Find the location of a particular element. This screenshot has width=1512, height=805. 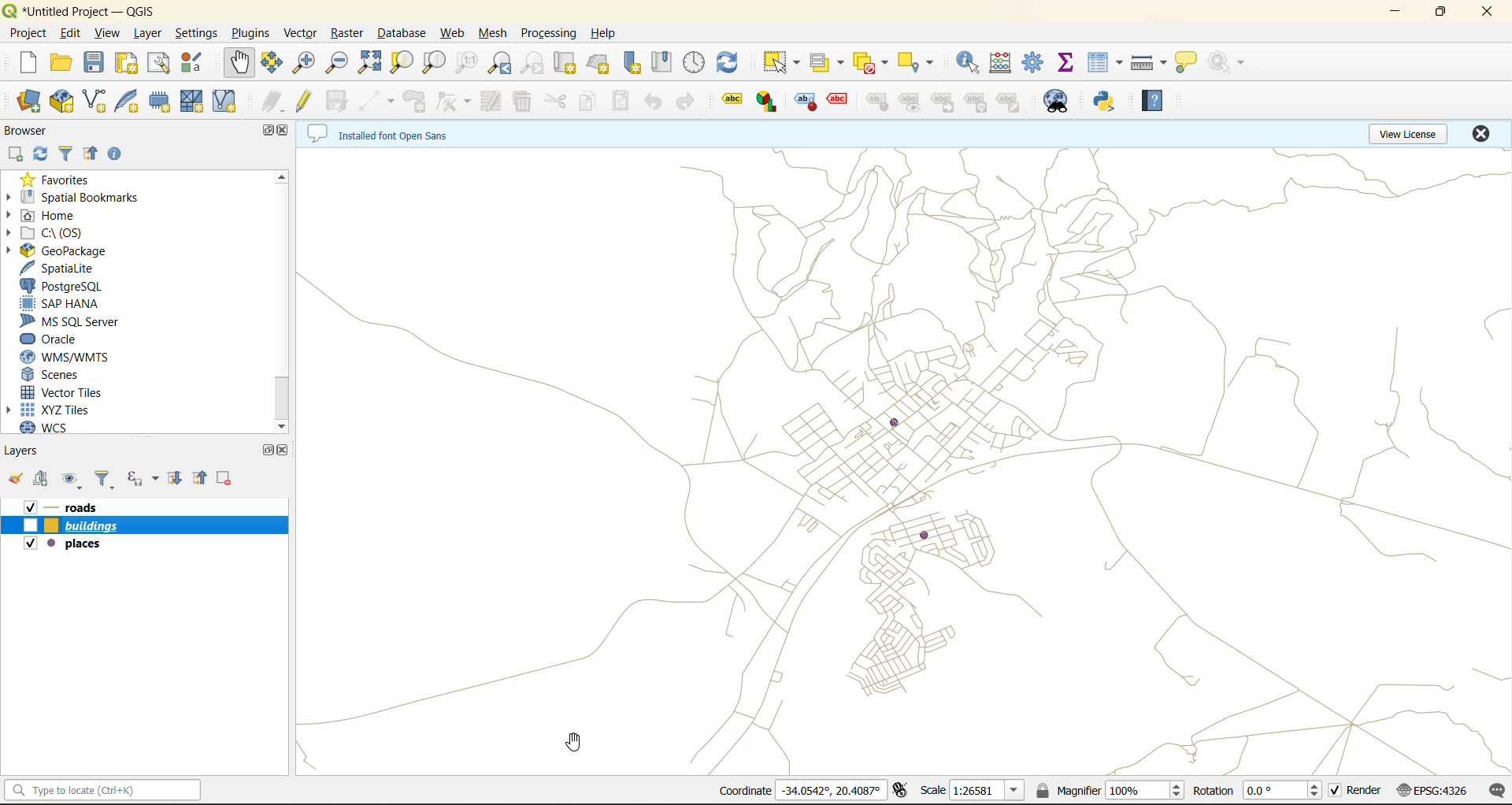

Show/Hide Label is located at coordinates (907, 102).